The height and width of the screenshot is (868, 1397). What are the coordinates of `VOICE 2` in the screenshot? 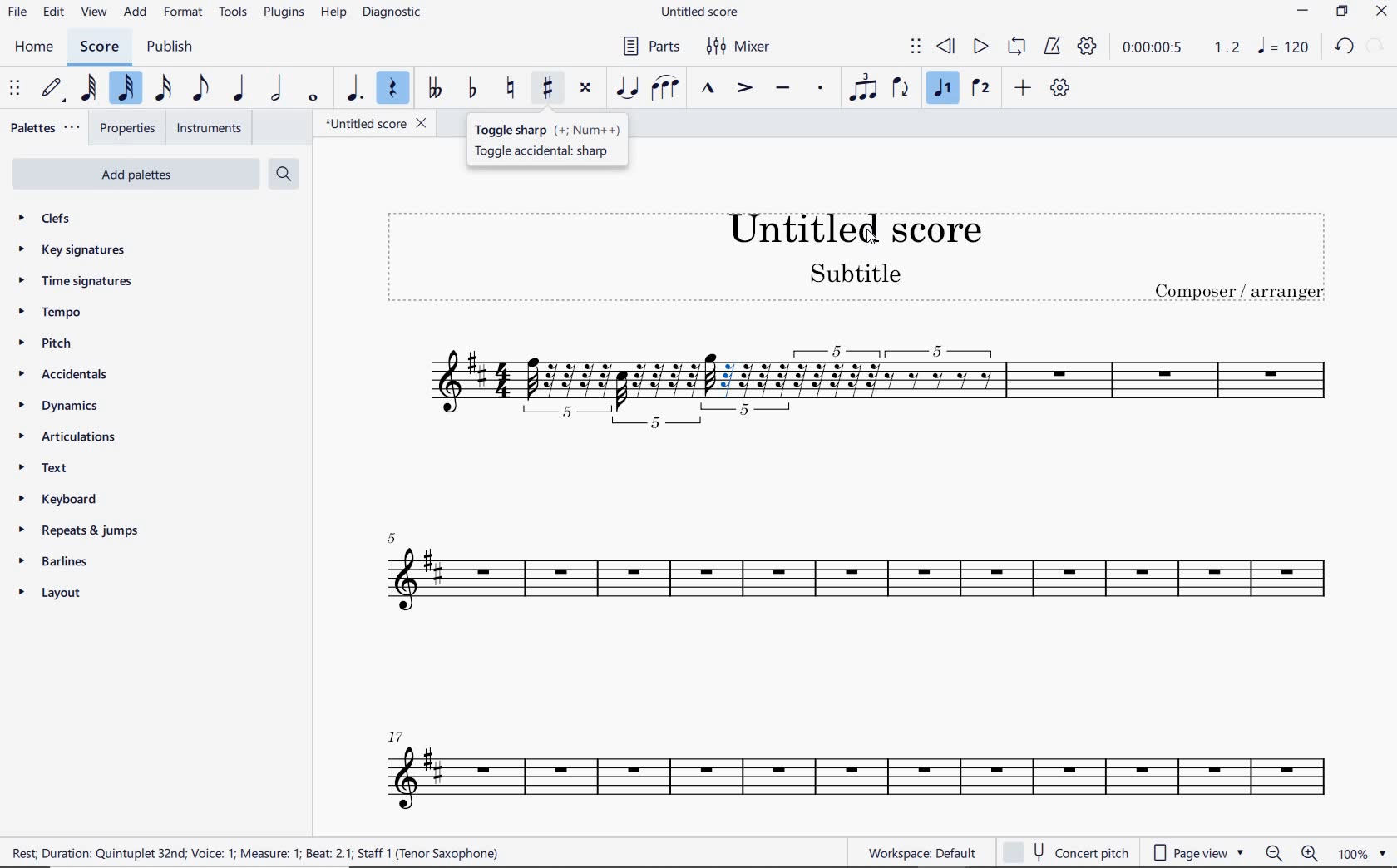 It's located at (982, 89).